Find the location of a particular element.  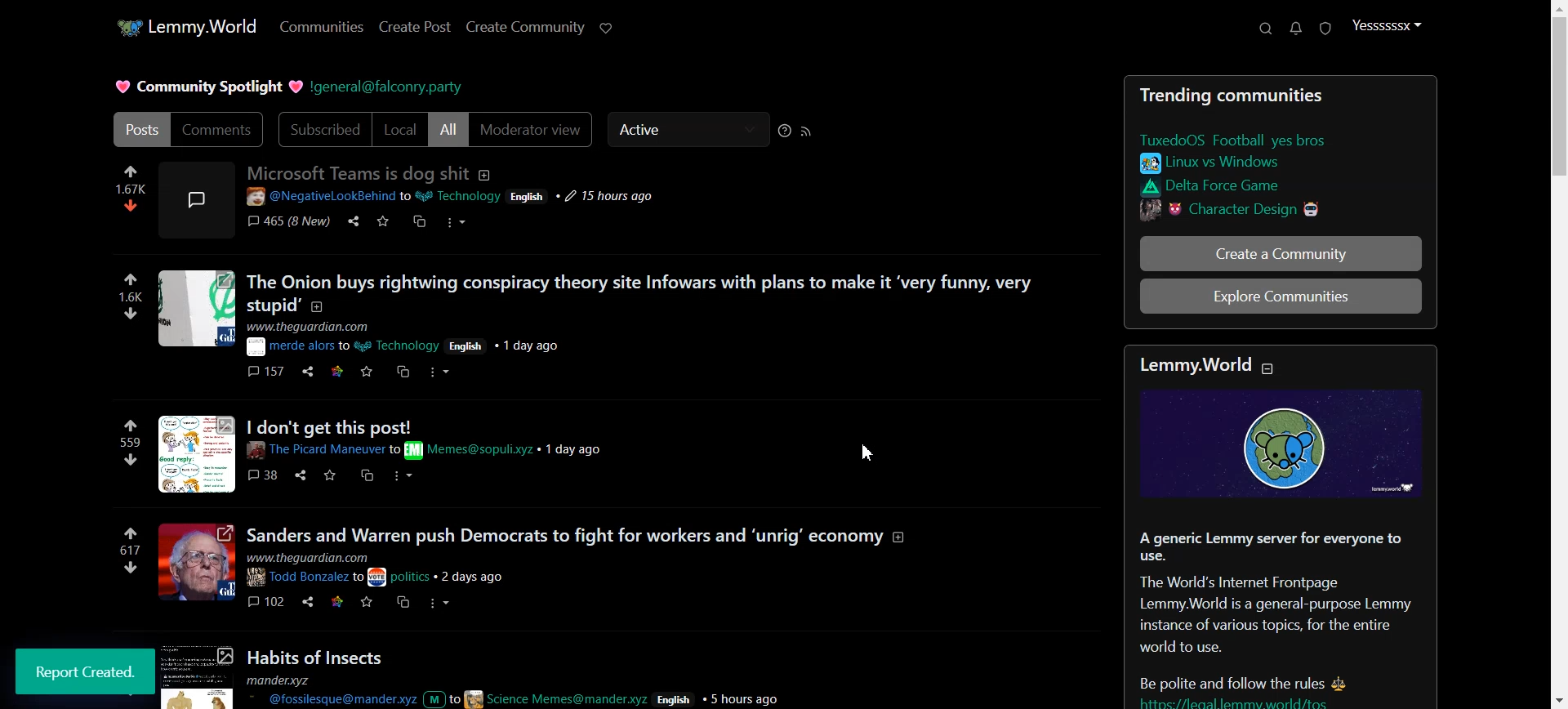

cs is located at coordinates (421, 225).